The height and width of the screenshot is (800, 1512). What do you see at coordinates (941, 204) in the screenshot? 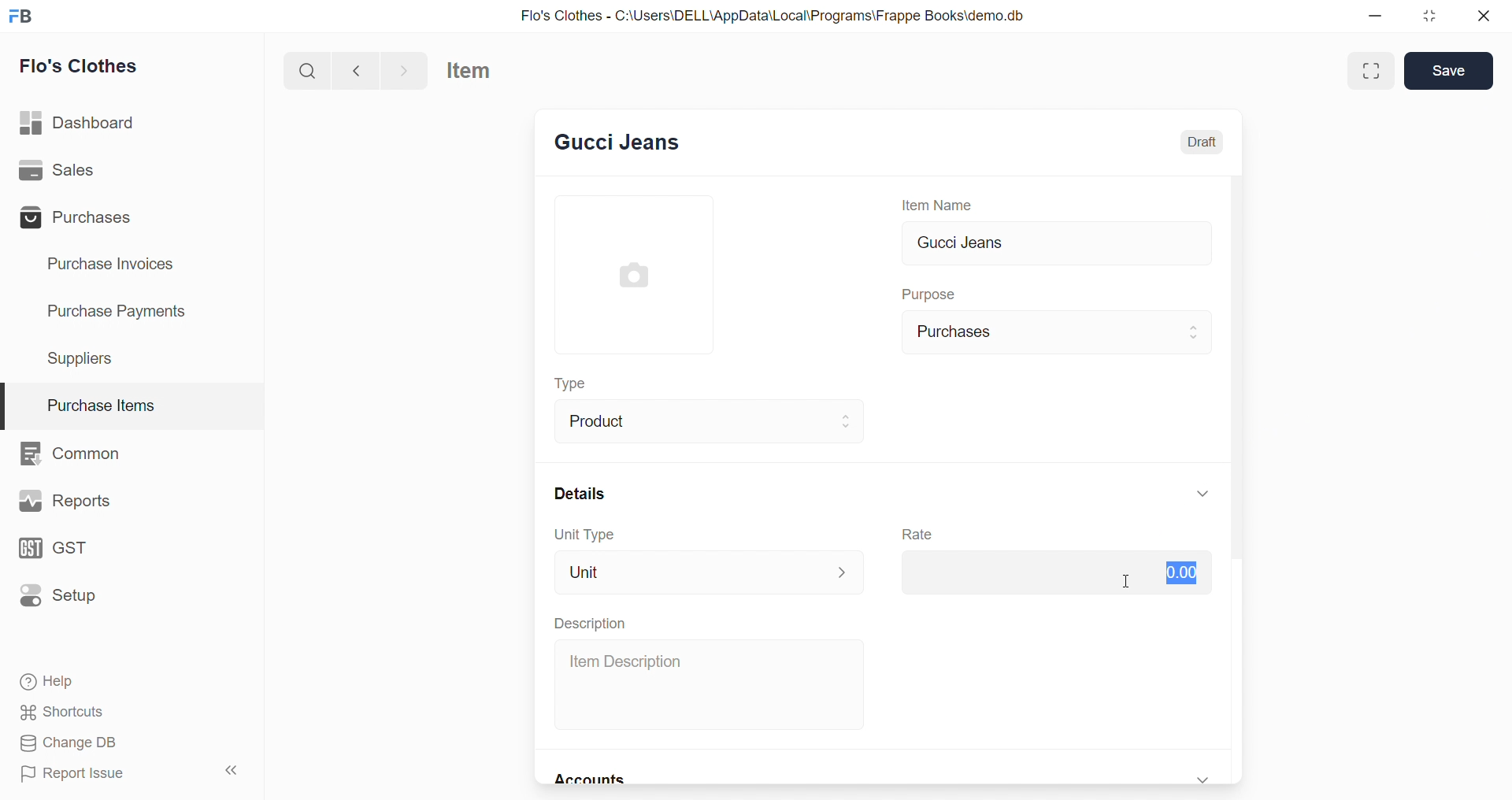
I see `Item Name` at bounding box center [941, 204].